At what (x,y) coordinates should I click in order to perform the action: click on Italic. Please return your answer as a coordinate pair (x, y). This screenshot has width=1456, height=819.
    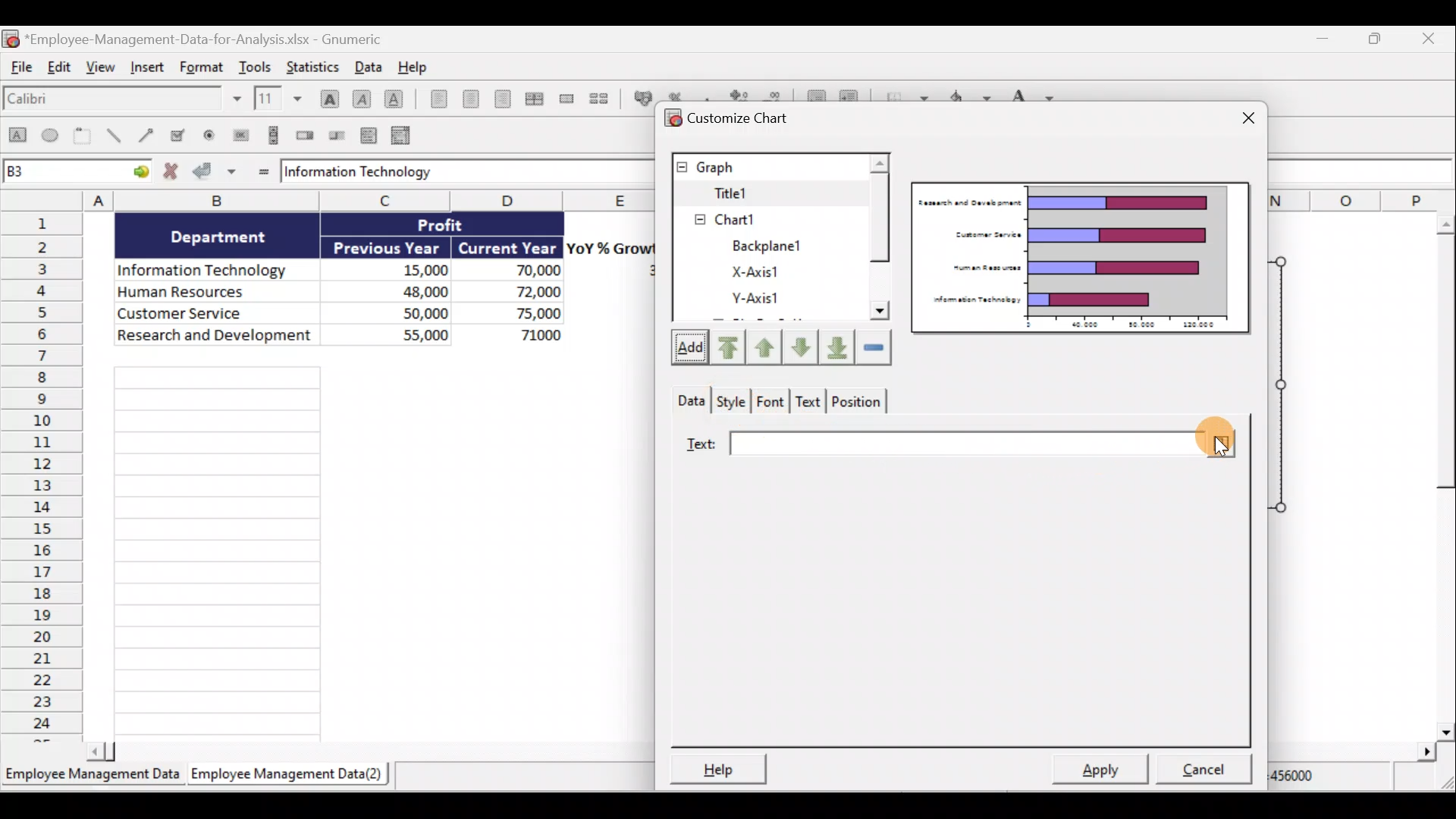
    Looking at the image, I should click on (362, 97).